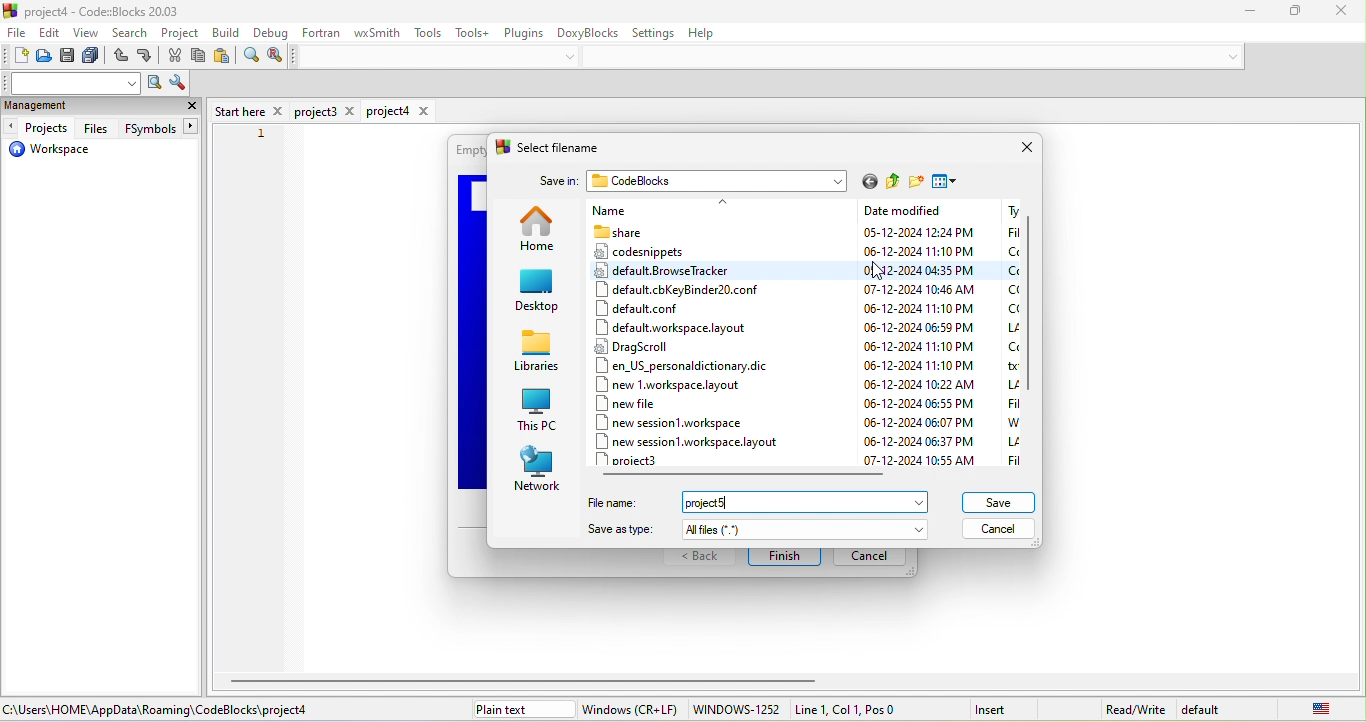 The image size is (1366, 722). What do you see at coordinates (682, 366) in the screenshot?
I see `en us personal dictionary` at bounding box center [682, 366].